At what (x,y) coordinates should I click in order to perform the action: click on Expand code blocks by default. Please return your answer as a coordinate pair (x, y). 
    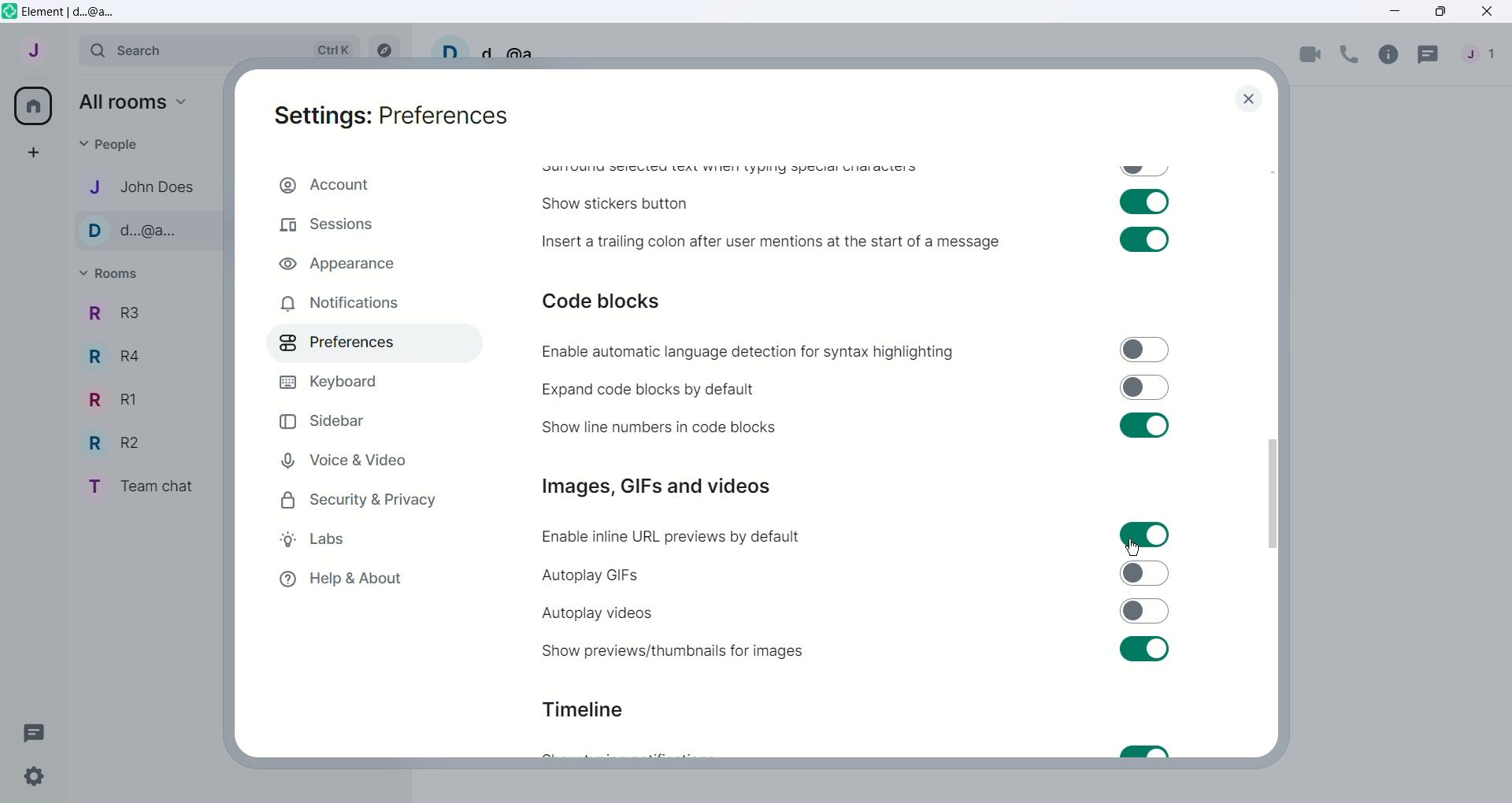
    Looking at the image, I should click on (650, 390).